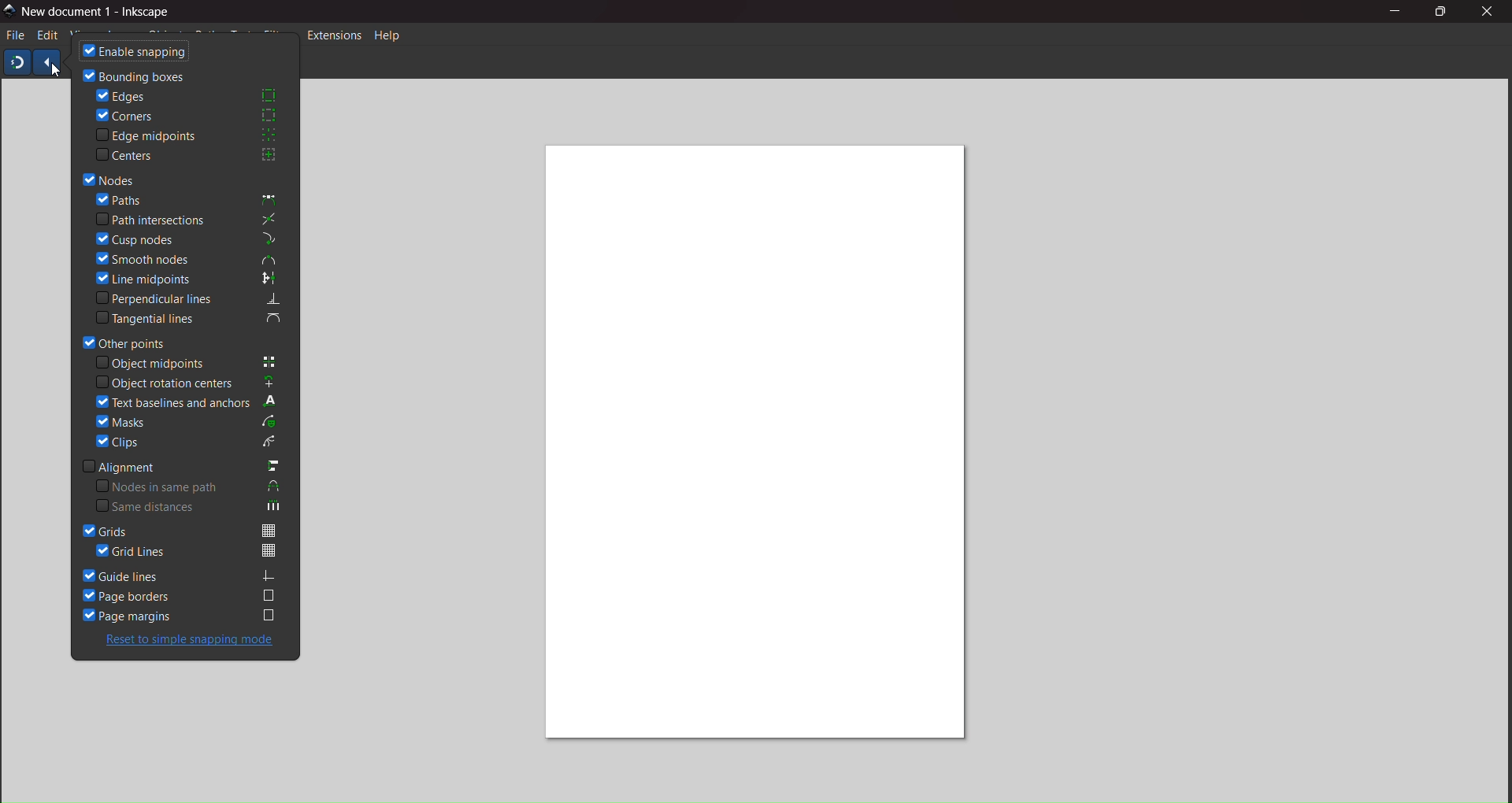 This screenshot has width=1512, height=803. Describe the element at coordinates (1441, 10) in the screenshot. I see `Maximize` at that location.